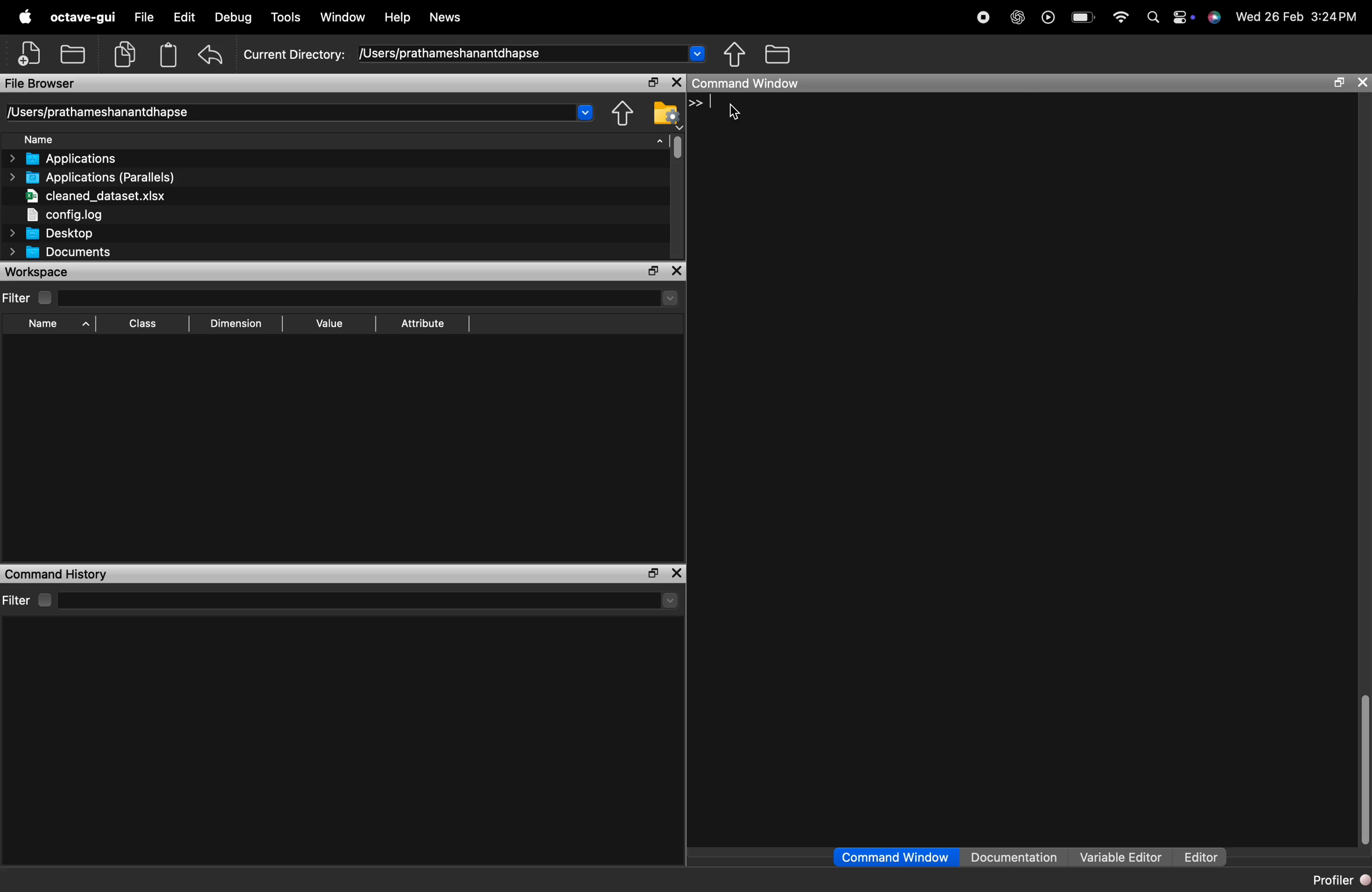 This screenshot has height=892, width=1372. What do you see at coordinates (622, 113) in the screenshot?
I see `one directory up` at bounding box center [622, 113].